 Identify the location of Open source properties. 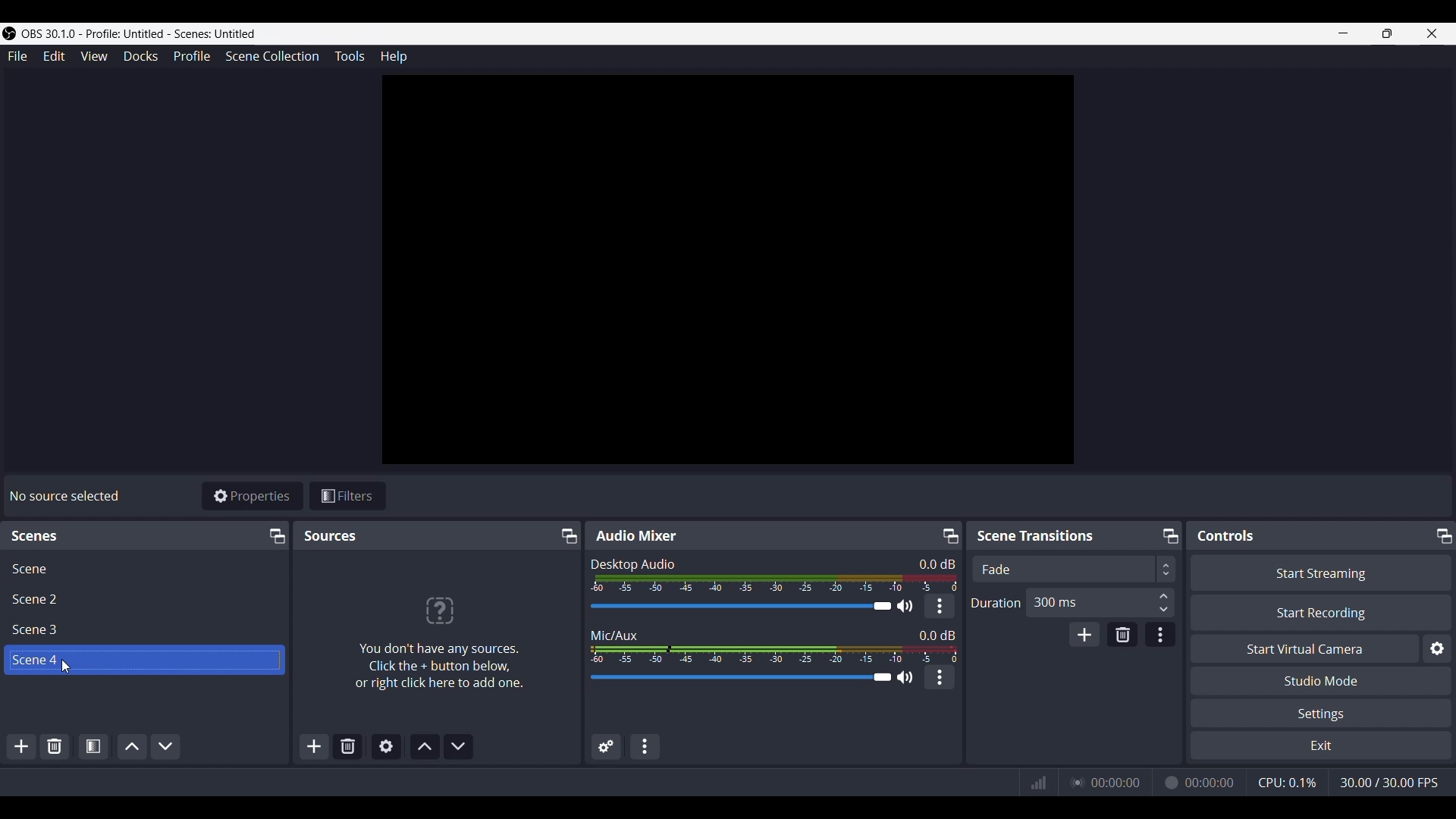
(384, 745).